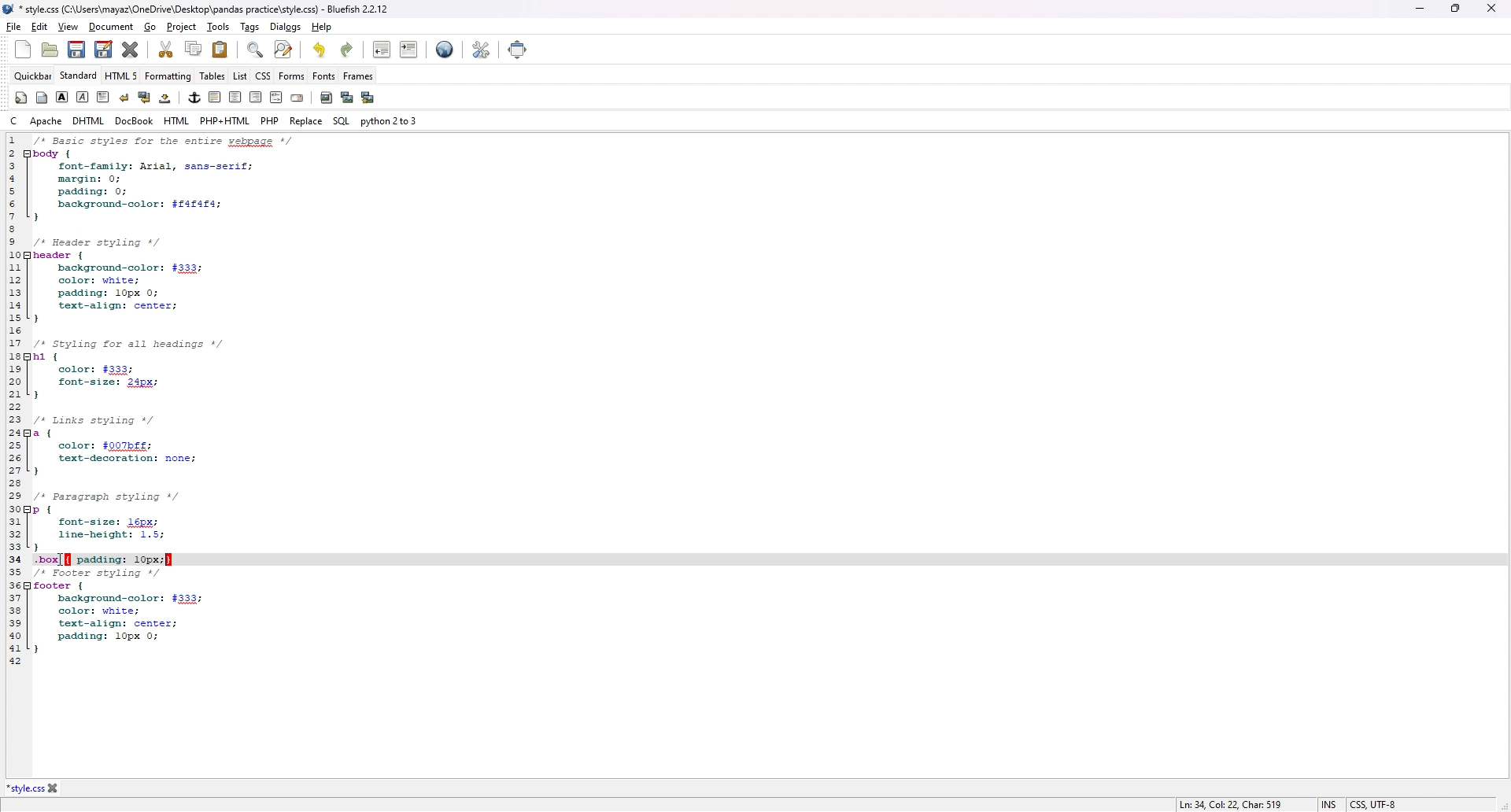 Image resolution: width=1511 pixels, height=812 pixels. Describe the element at coordinates (359, 76) in the screenshot. I see `frames` at that location.